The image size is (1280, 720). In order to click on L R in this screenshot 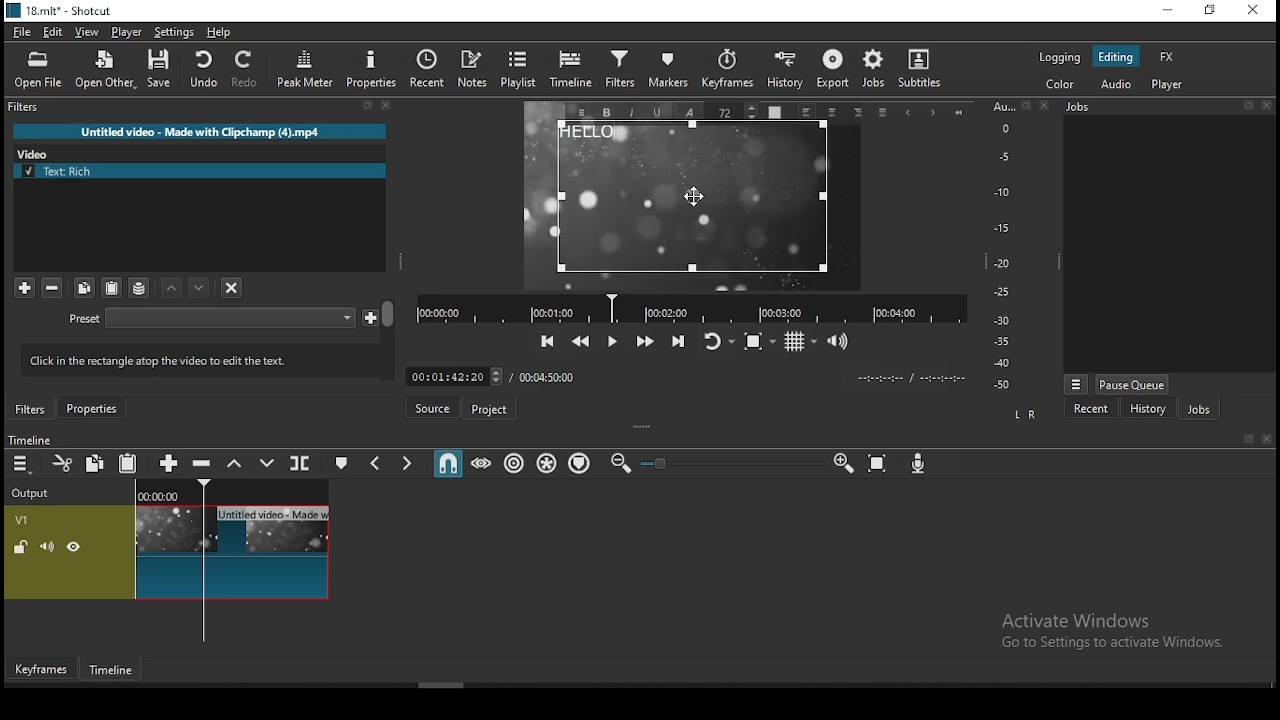, I will do `click(1026, 415)`.